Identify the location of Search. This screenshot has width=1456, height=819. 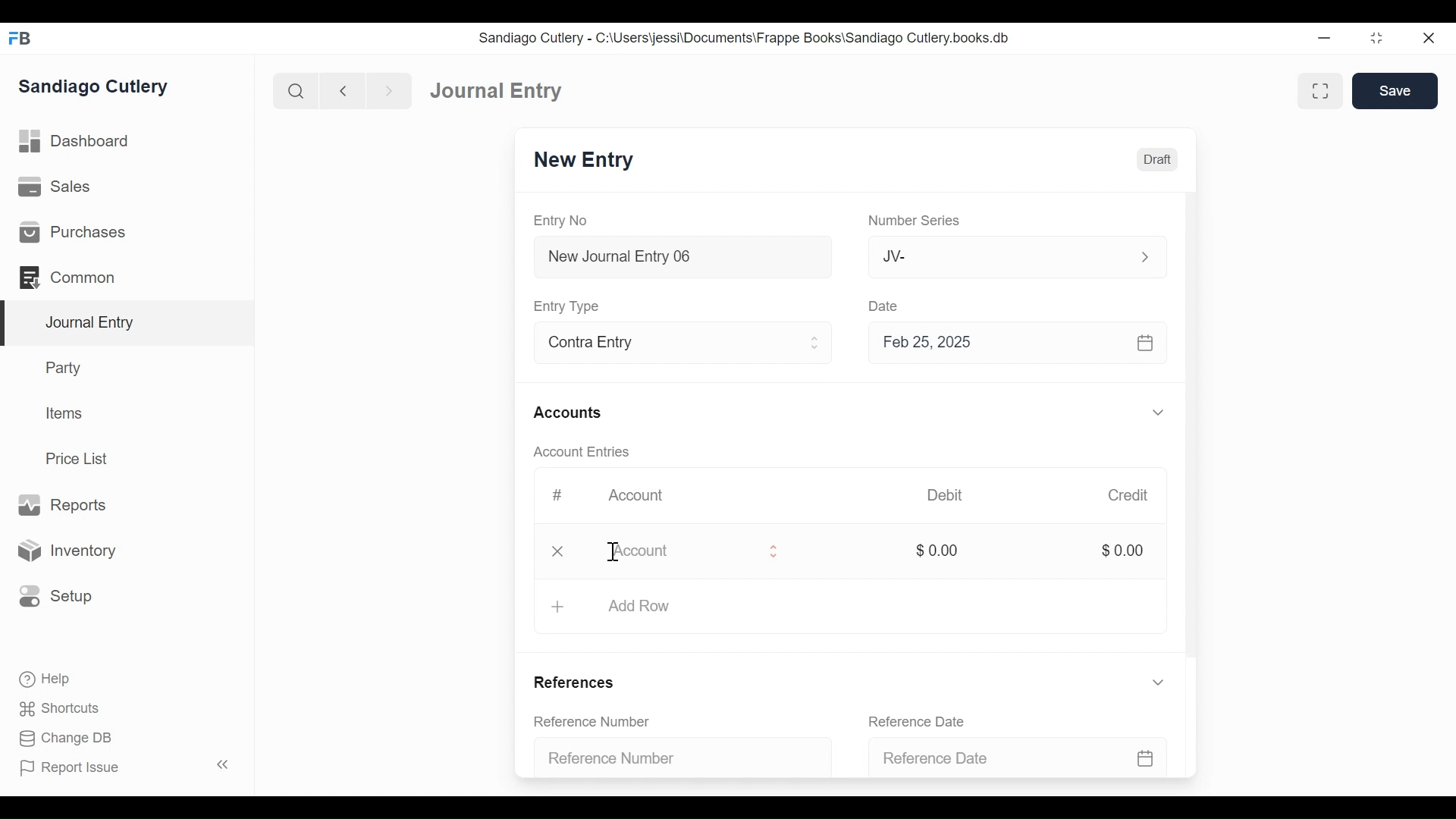
(297, 91).